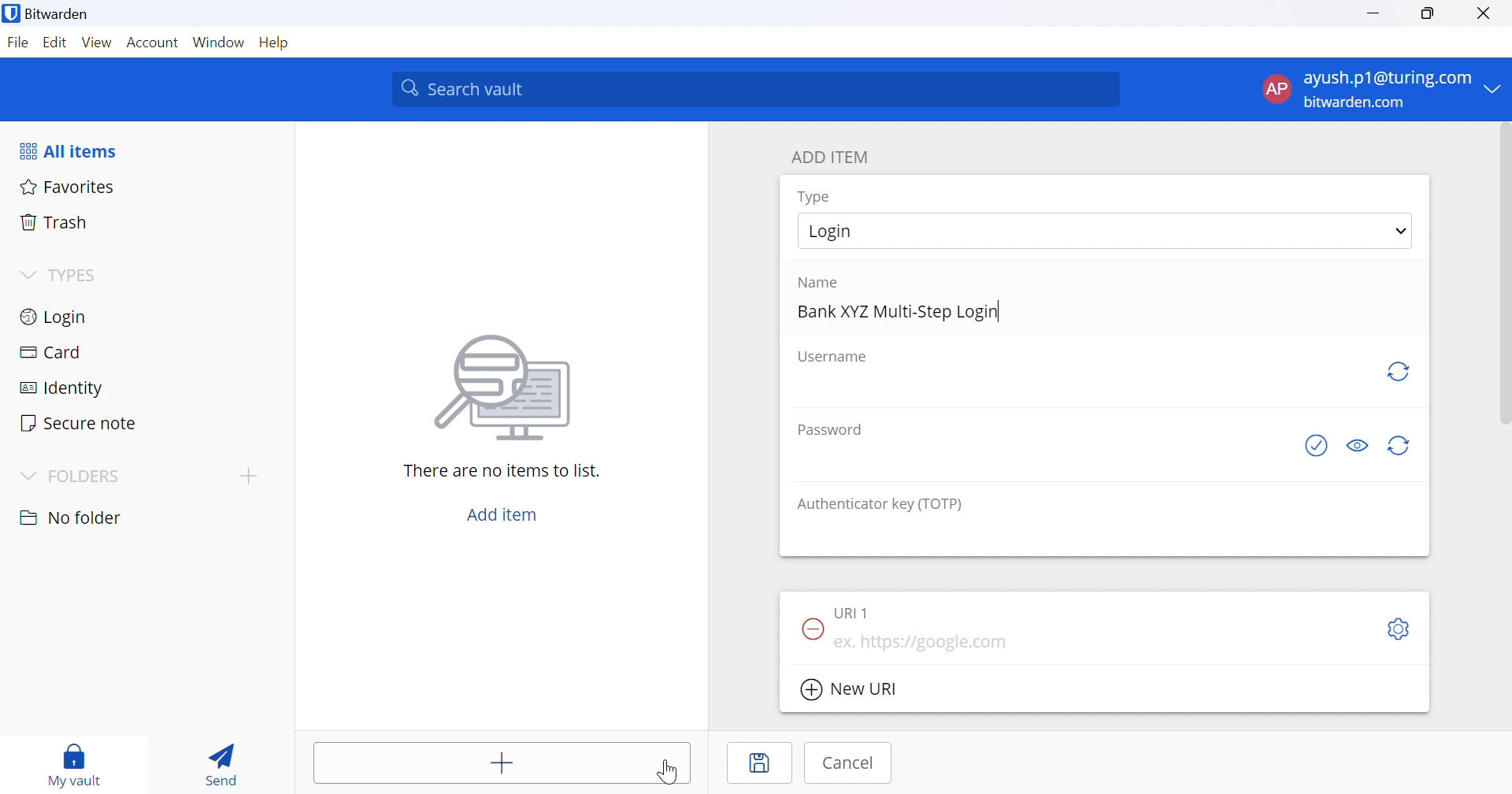  Describe the element at coordinates (810, 627) in the screenshot. I see `Remove` at that location.